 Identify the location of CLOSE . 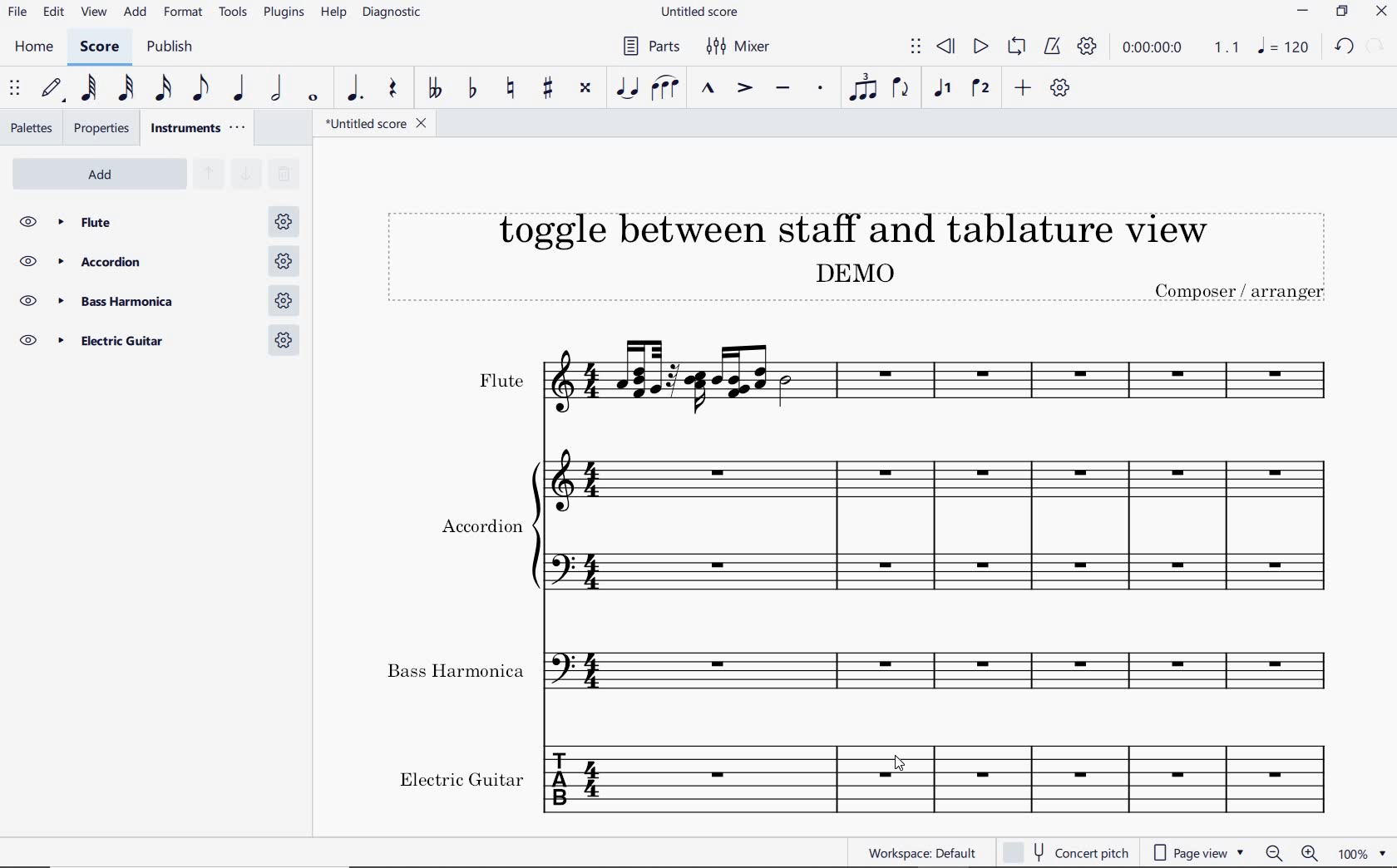
(1383, 13).